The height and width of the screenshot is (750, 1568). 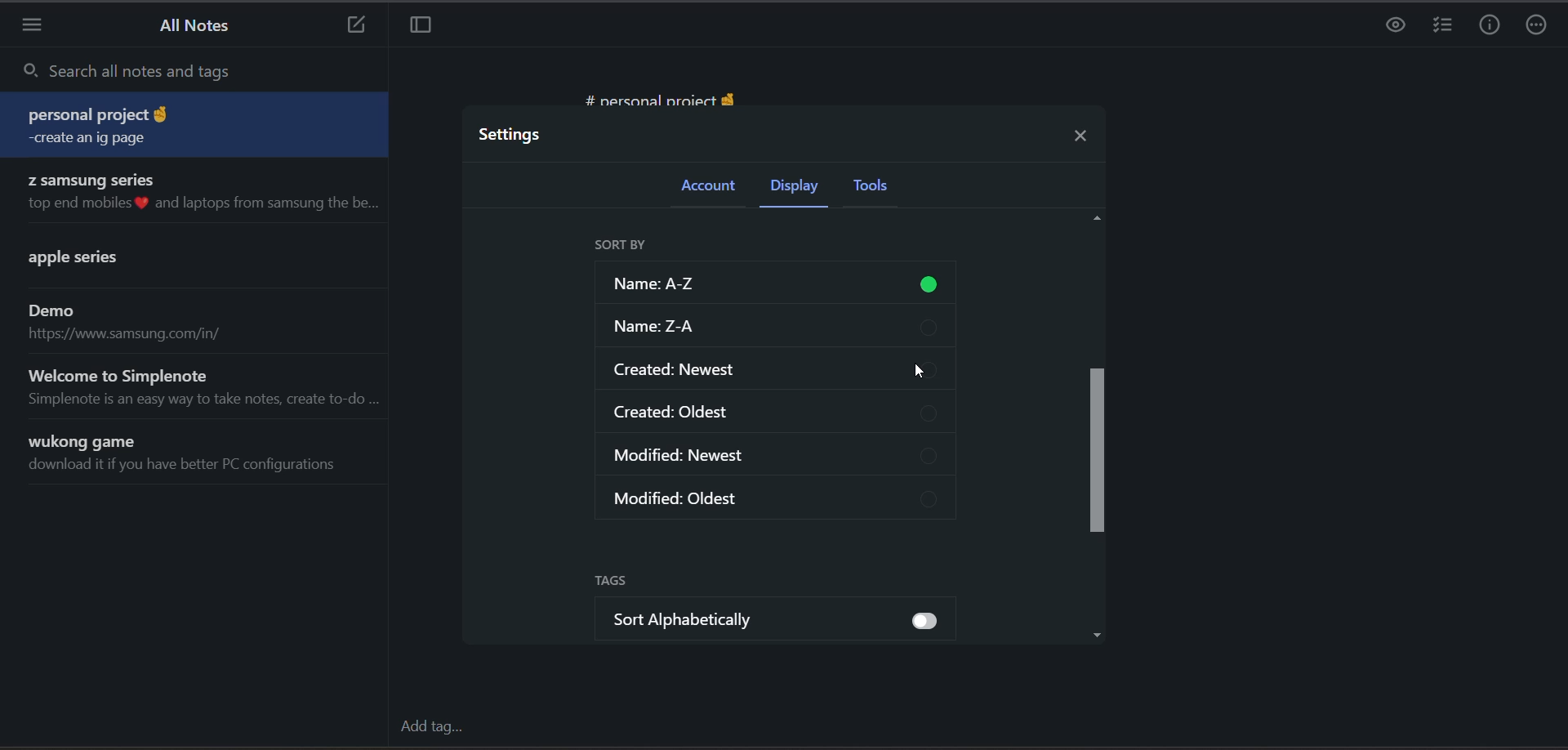 I want to click on note title and preview, so click(x=199, y=193).